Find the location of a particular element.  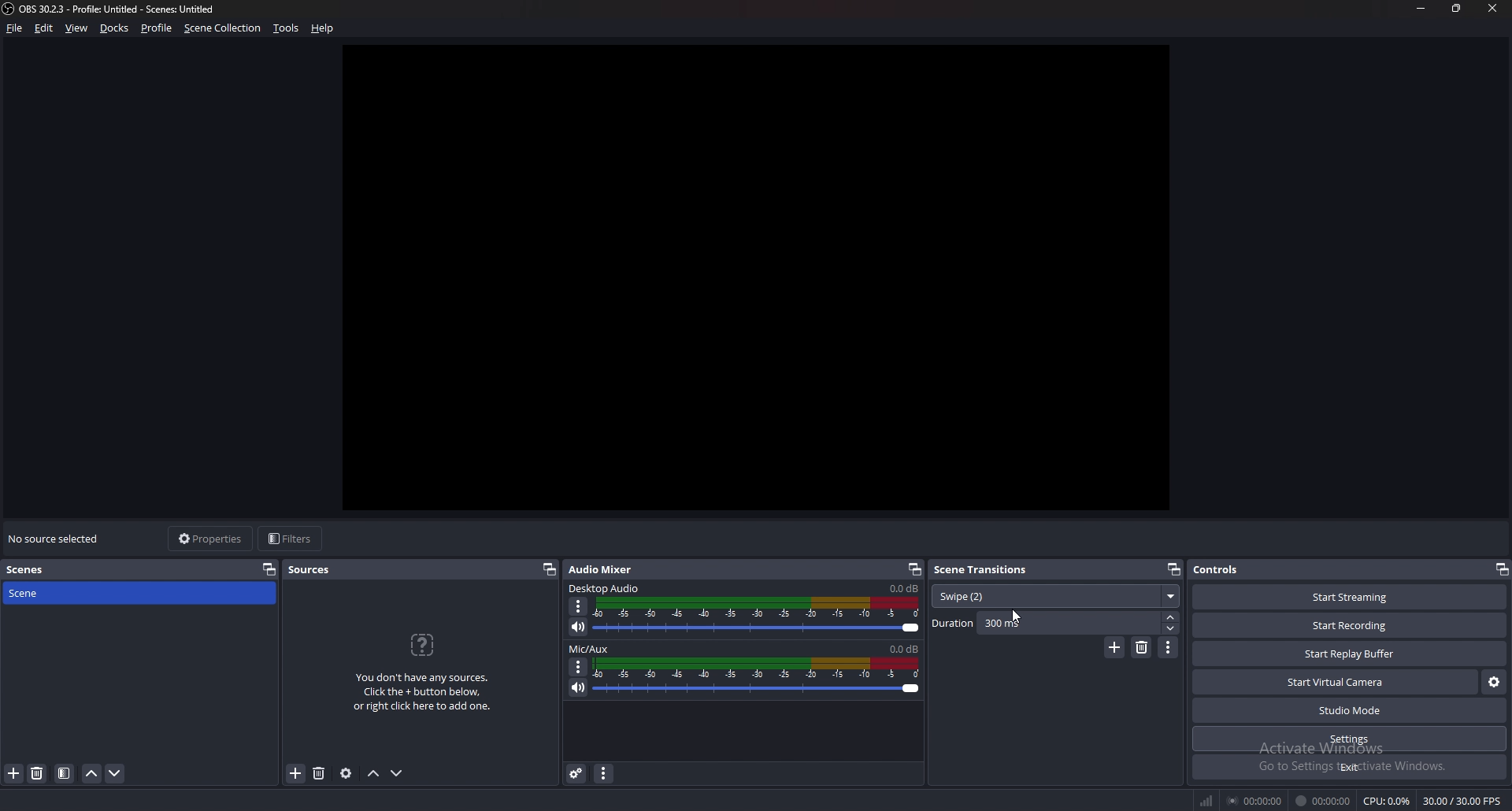

recording duration is located at coordinates (1324, 801).